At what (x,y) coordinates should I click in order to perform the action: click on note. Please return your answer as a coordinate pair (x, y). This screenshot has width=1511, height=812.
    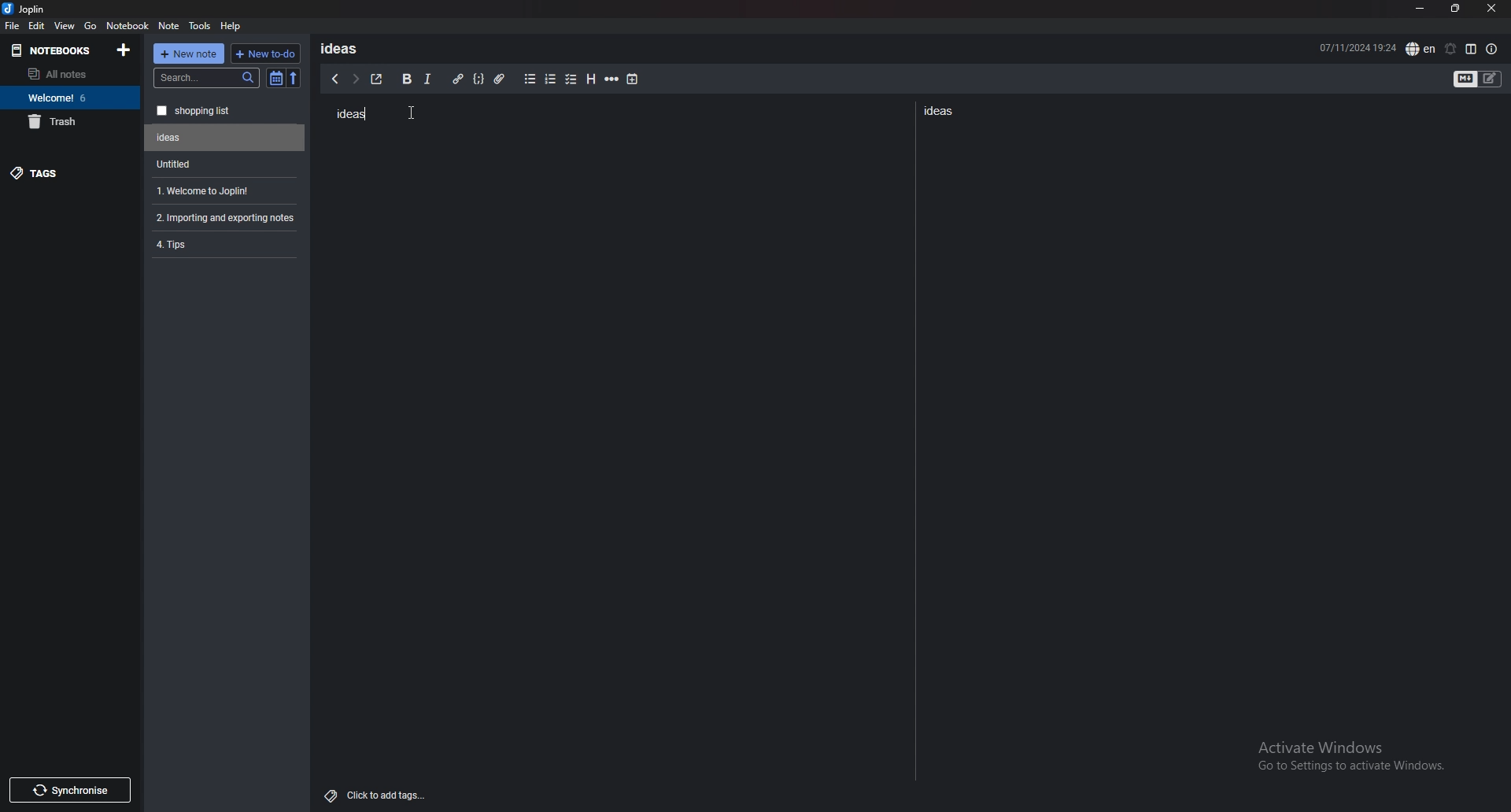
    Looking at the image, I should click on (169, 26).